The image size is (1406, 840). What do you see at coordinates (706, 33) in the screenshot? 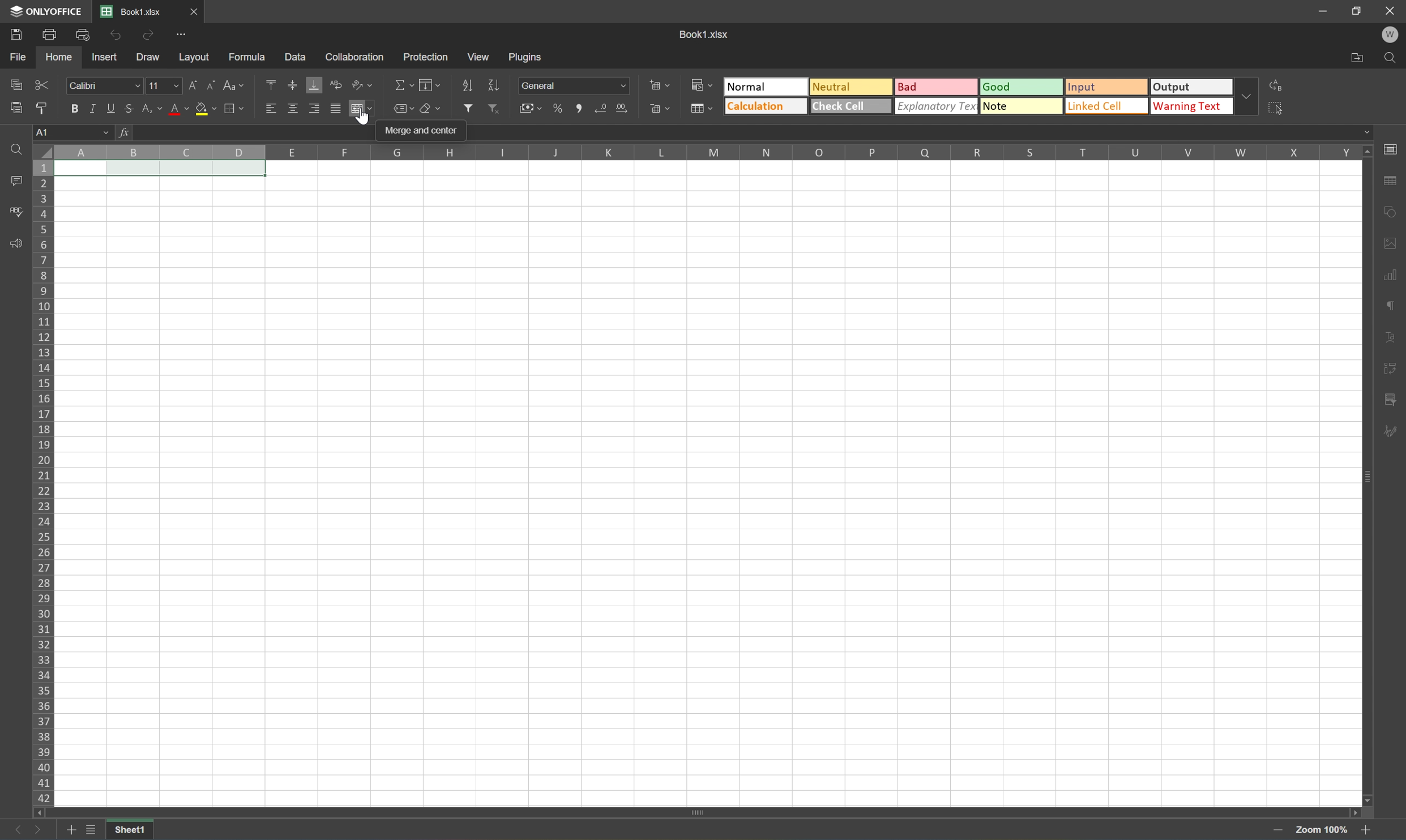
I see `Book1.xlsx` at bounding box center [706, 33].